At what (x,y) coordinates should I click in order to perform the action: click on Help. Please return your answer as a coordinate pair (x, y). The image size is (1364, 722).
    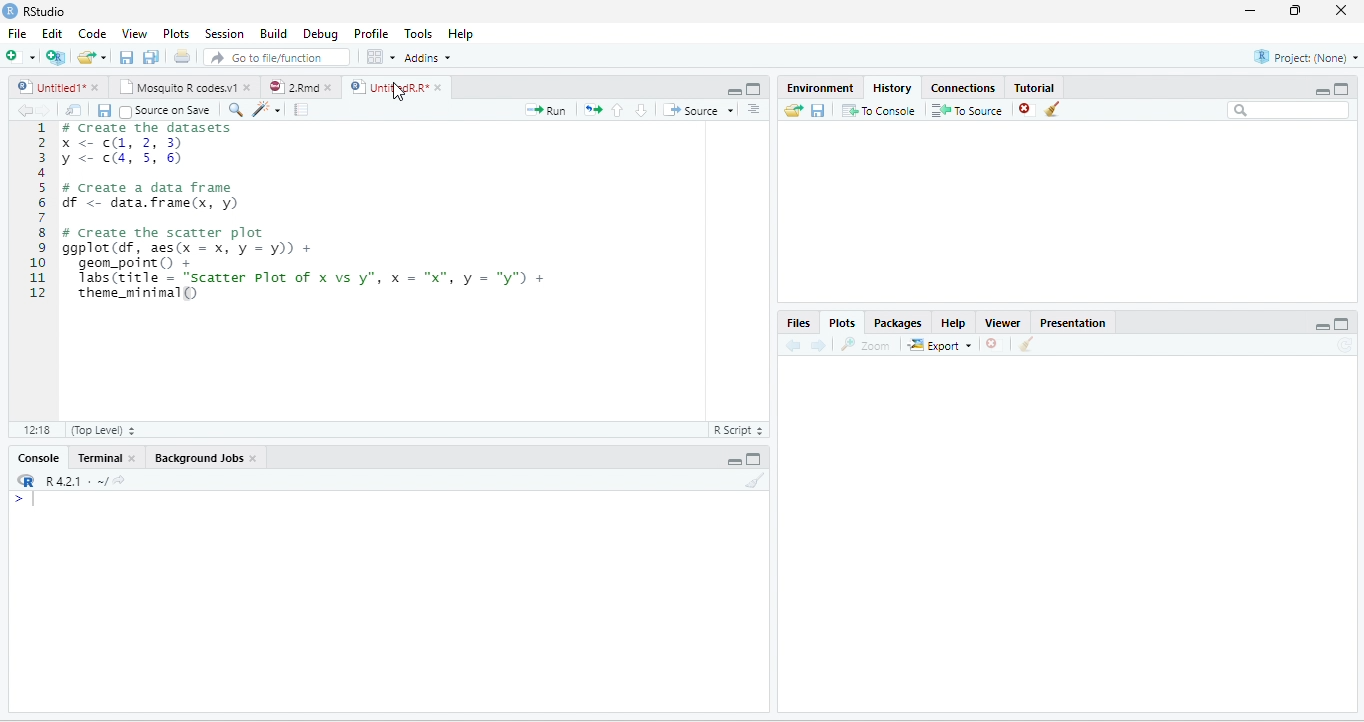
    Looking at the image, I should click on (953, 322).